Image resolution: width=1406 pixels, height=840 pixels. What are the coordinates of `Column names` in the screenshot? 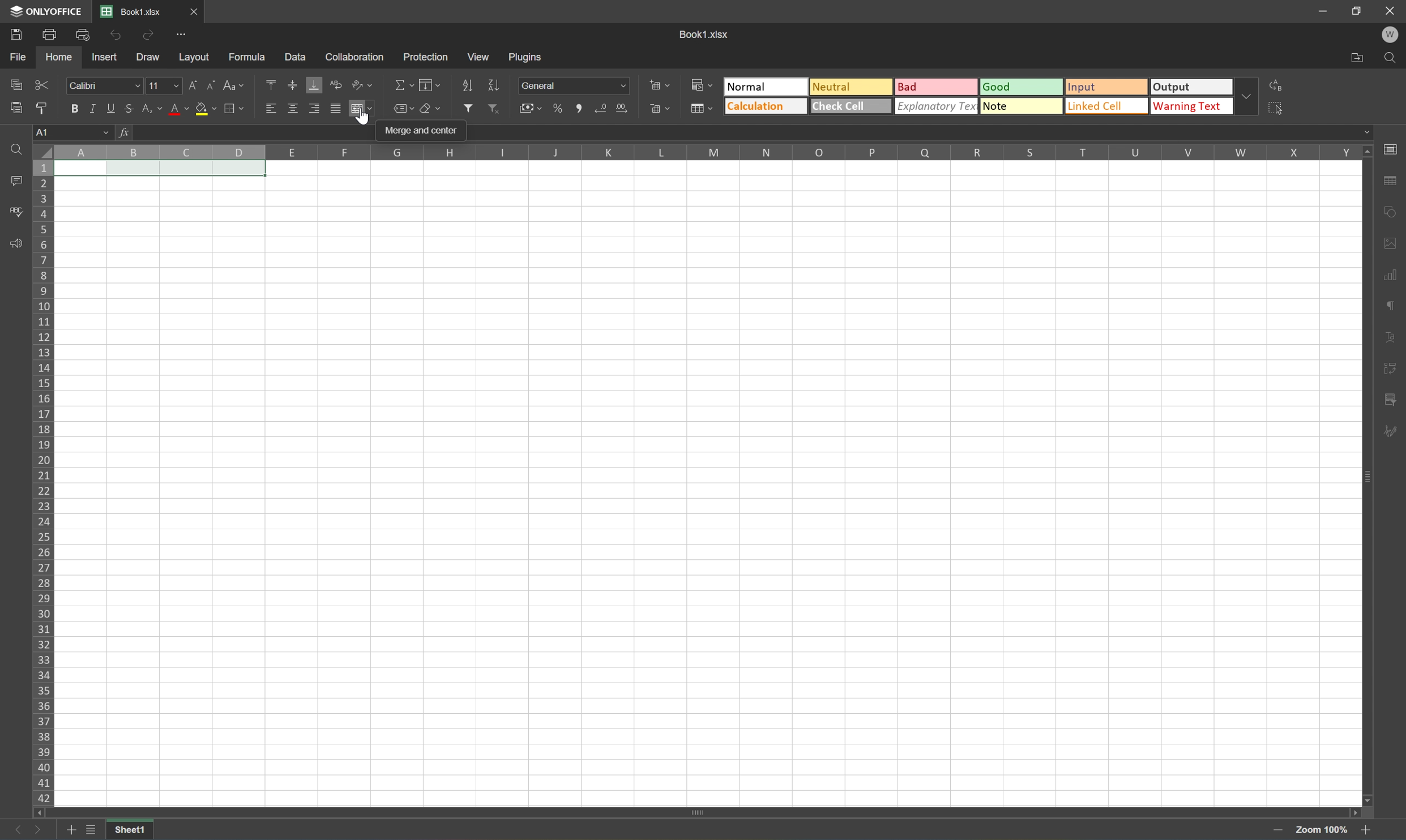 It's located at (708, 153).